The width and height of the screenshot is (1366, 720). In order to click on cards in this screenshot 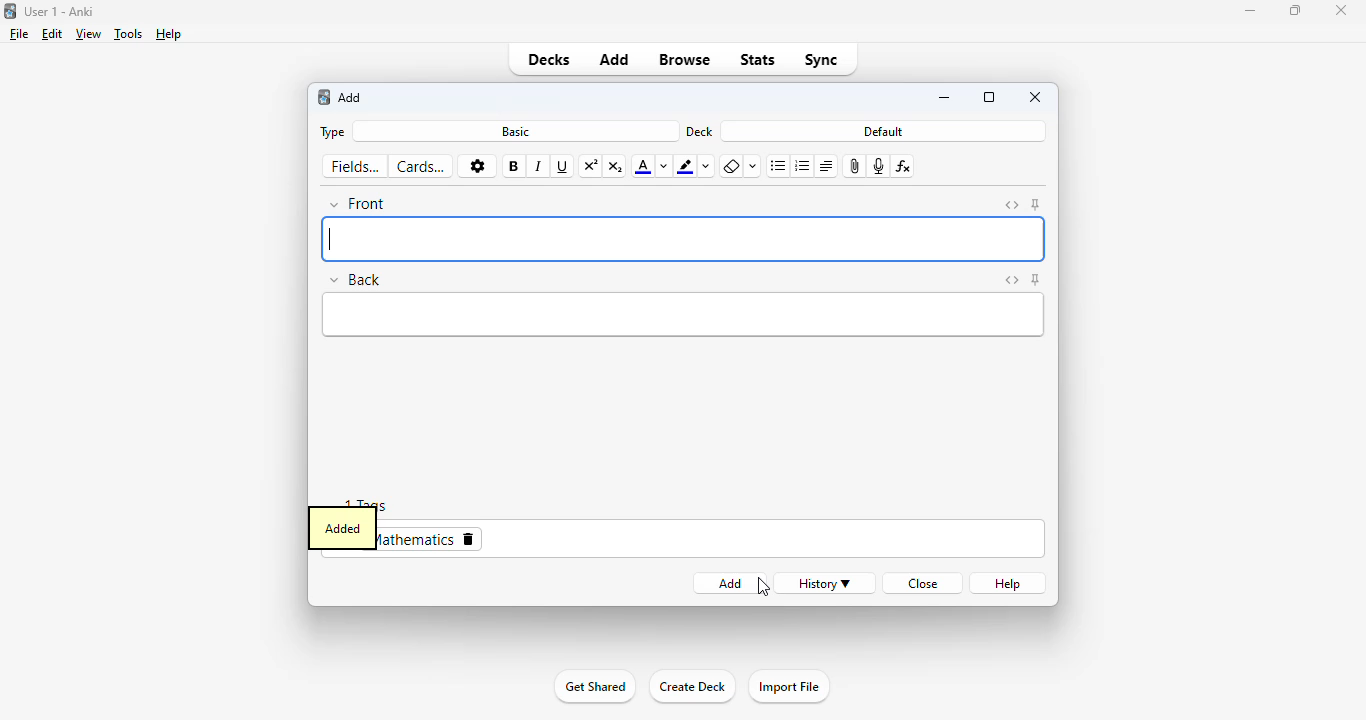, I will do `click(421, 166)`.